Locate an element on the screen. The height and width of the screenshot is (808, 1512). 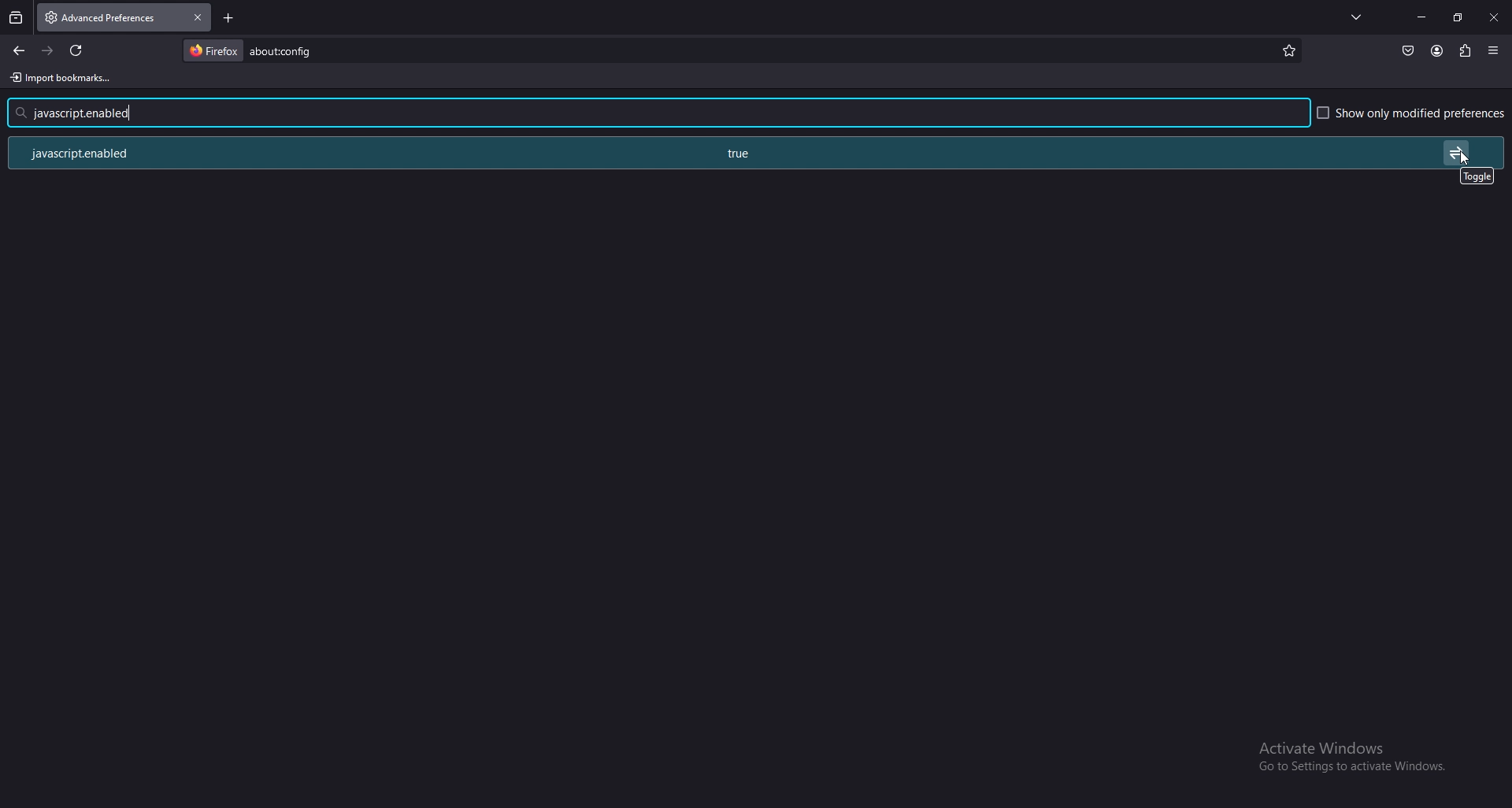
save to pocket is located at coordinates (1408, 51).